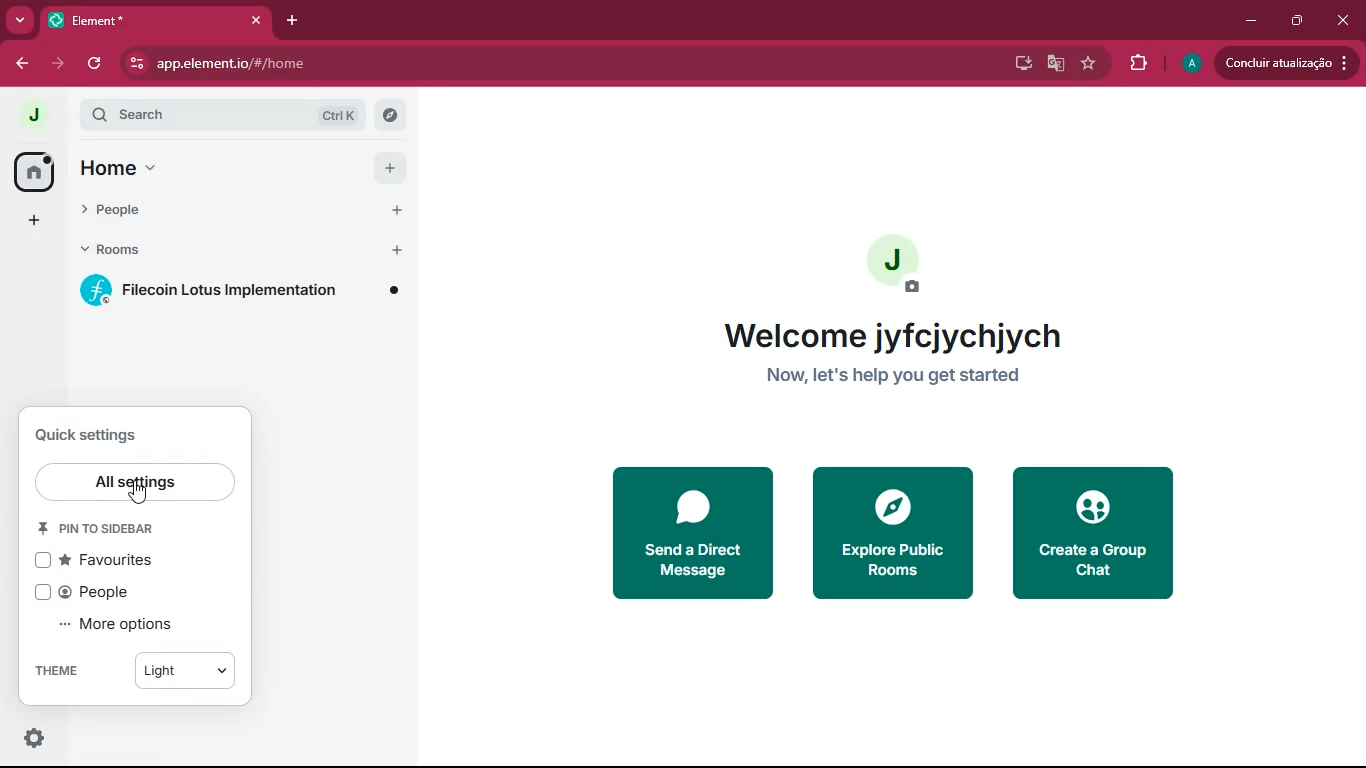 Image resolution: width=1366 pixels, height=768 pixels. I want to click on back, so click(24, 64).